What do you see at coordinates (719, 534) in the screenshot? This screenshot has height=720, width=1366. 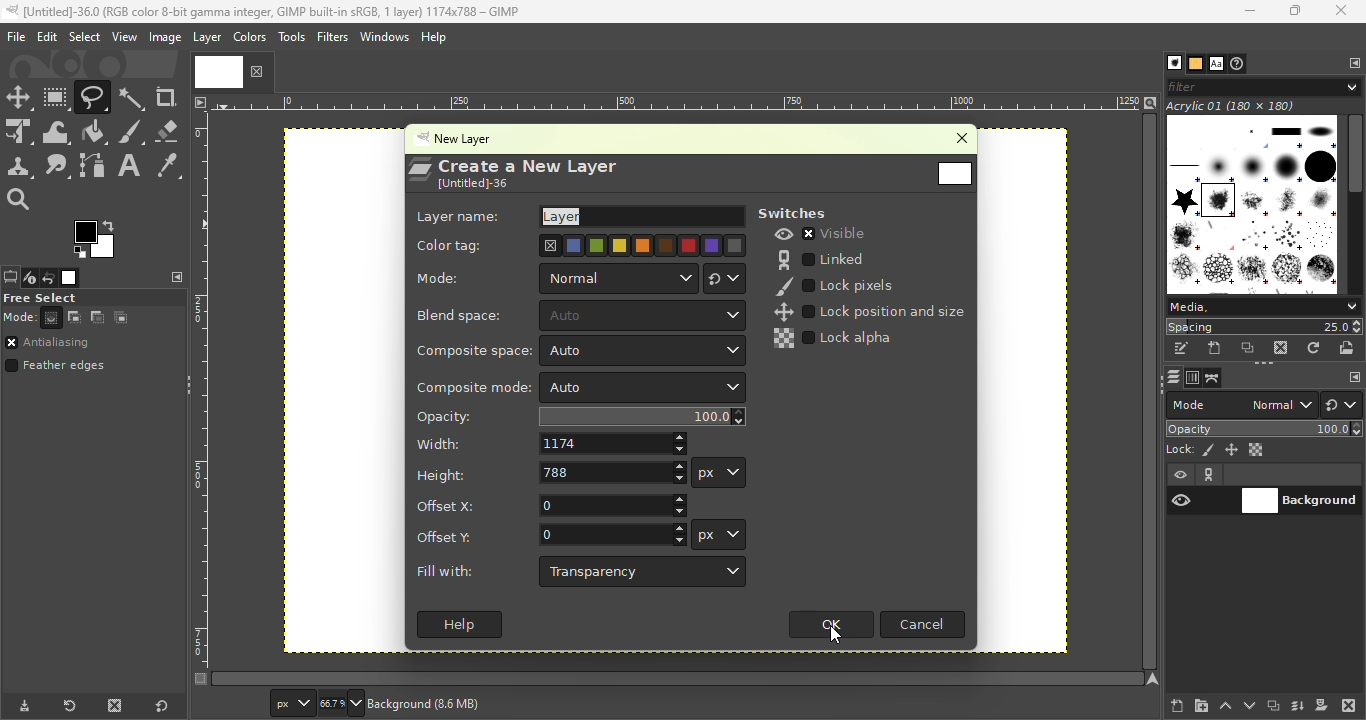 I see `Offset measurement` at bounding box center [719, 534].